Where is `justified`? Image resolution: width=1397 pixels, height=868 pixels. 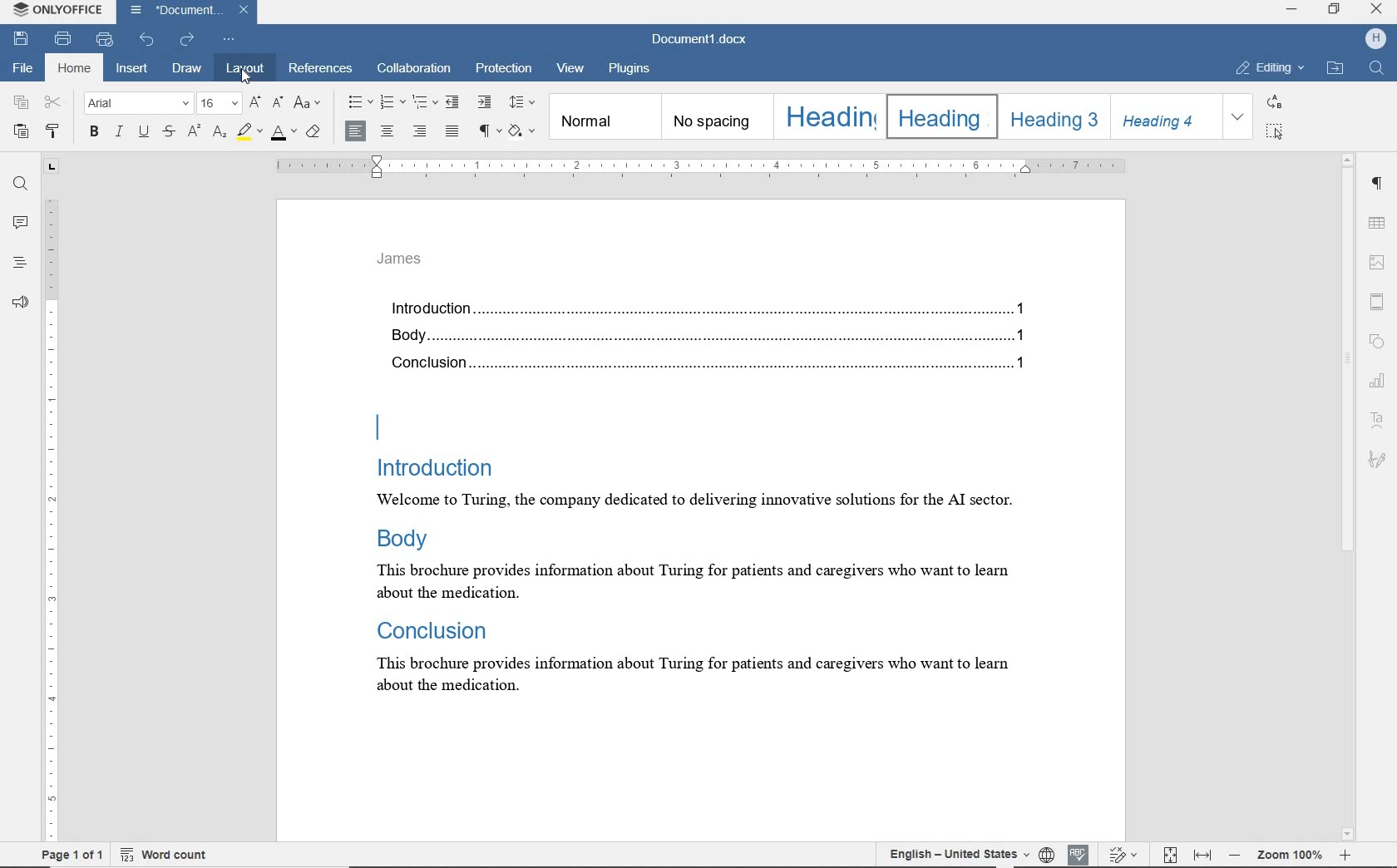
justified is located at coordinates (454, 133).